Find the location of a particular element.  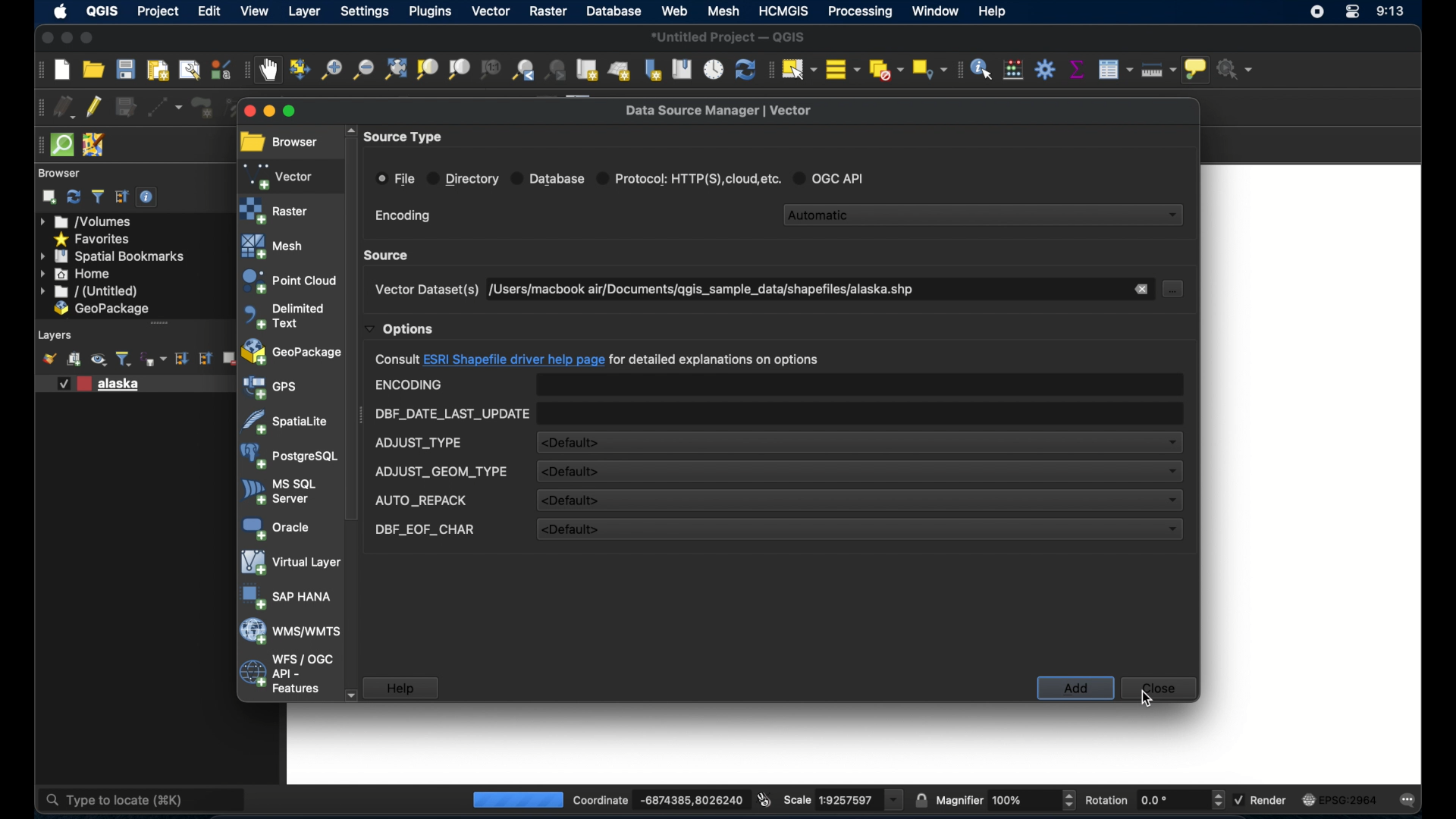

screen recorder icon is located at coordinates (1317, 11).